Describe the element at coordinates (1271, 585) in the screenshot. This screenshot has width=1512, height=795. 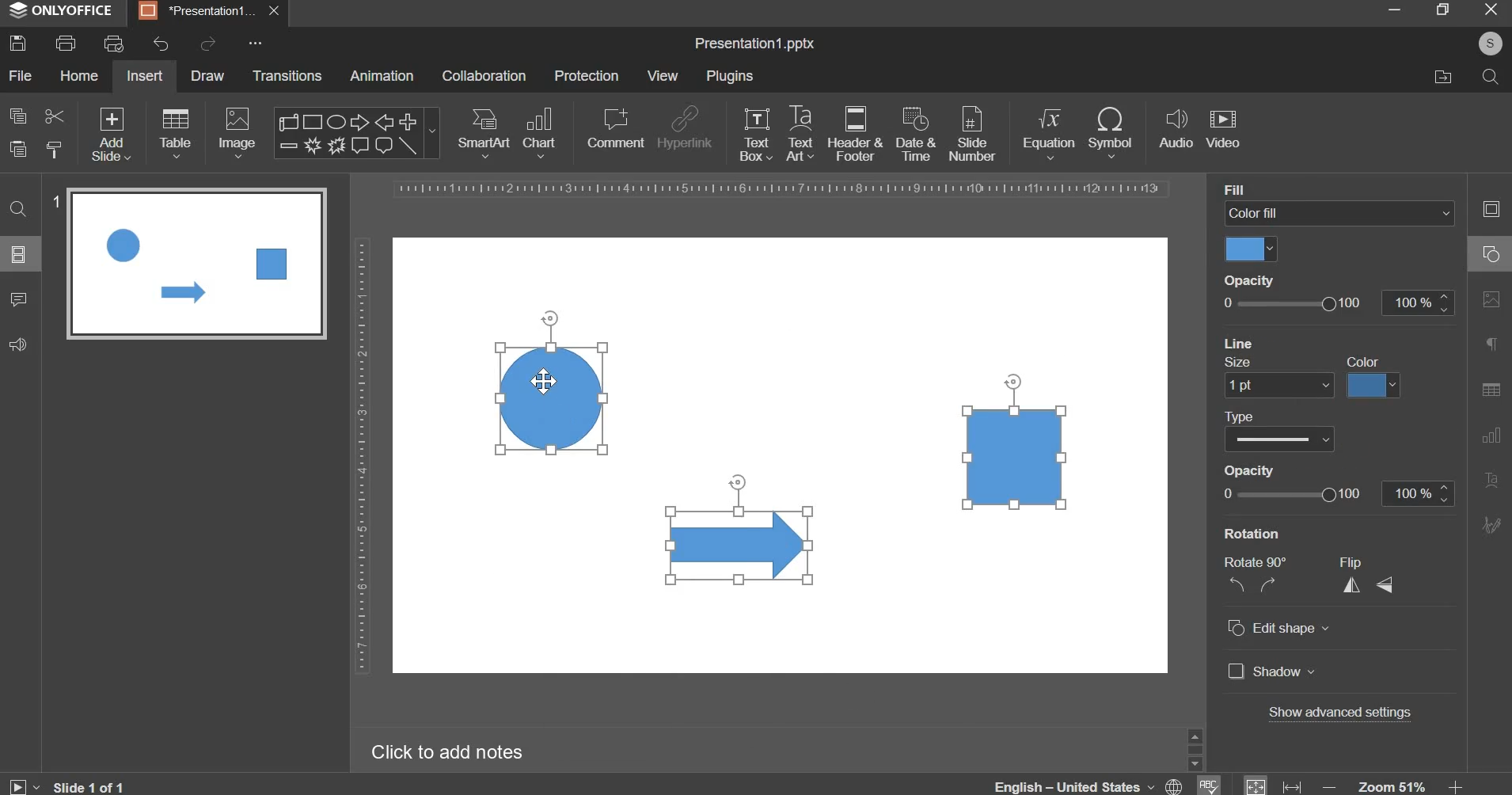
I see `rotate right 90` at that location.